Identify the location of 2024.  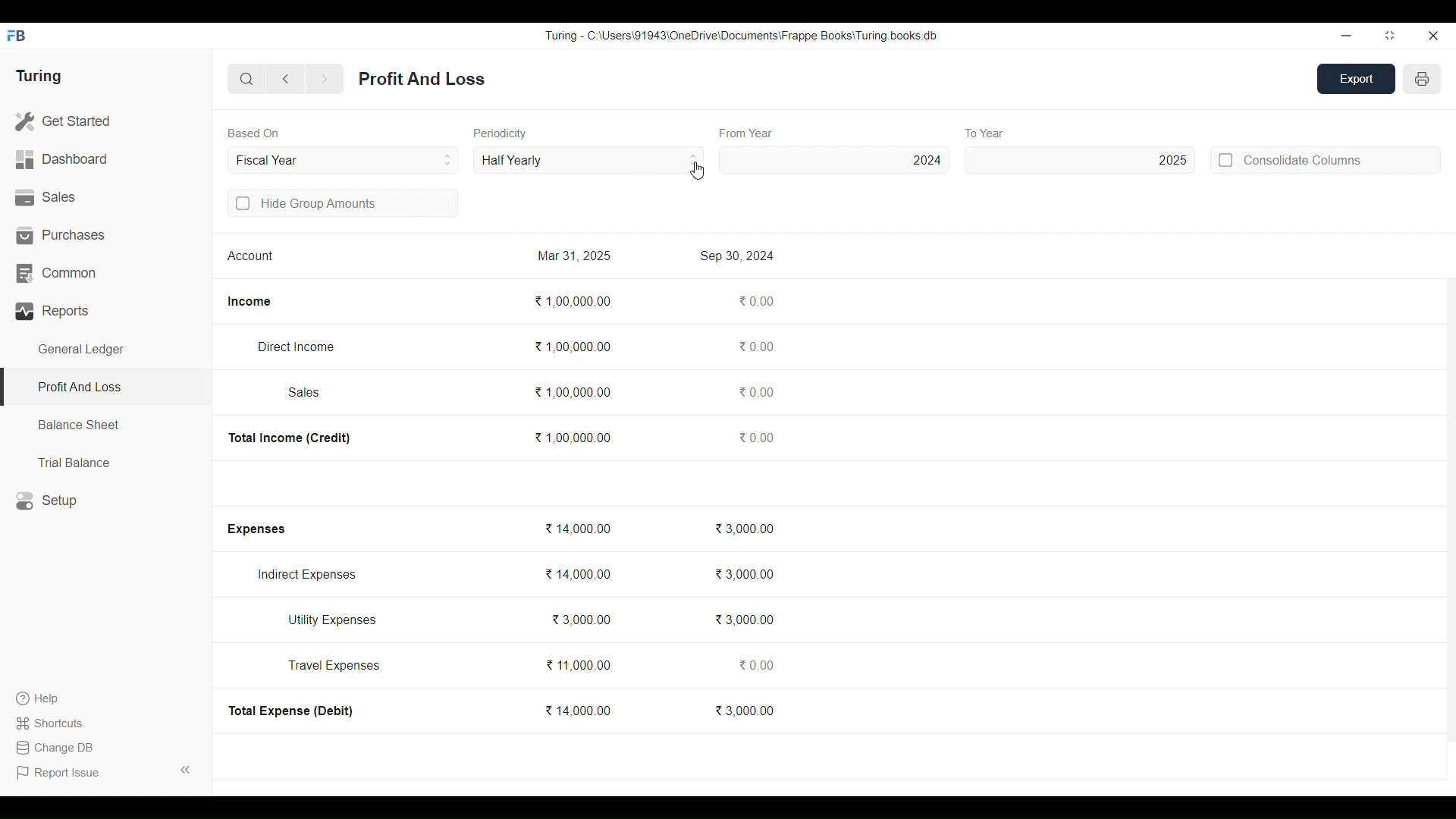
(834, 160).